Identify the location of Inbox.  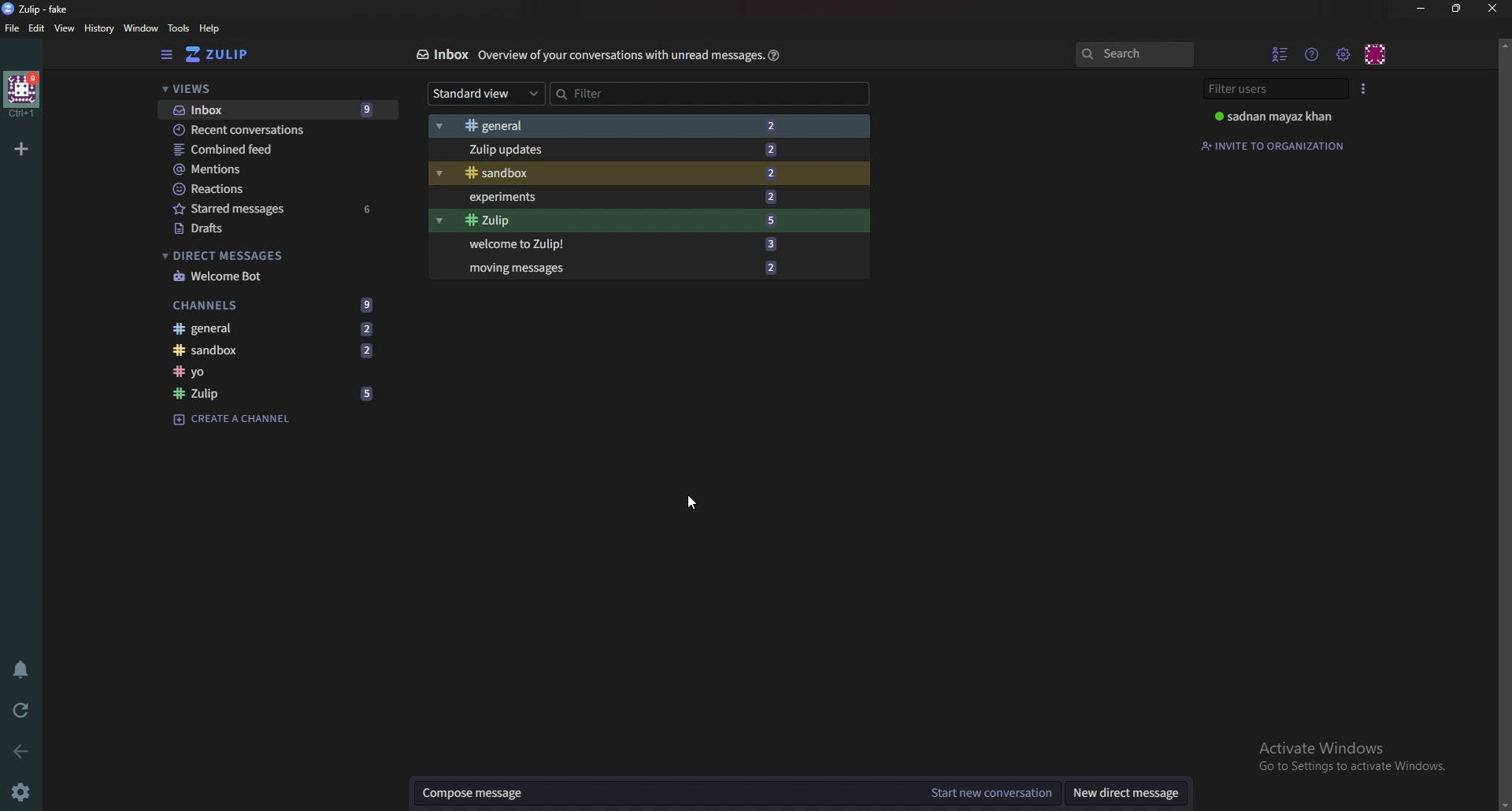
(273, 109).